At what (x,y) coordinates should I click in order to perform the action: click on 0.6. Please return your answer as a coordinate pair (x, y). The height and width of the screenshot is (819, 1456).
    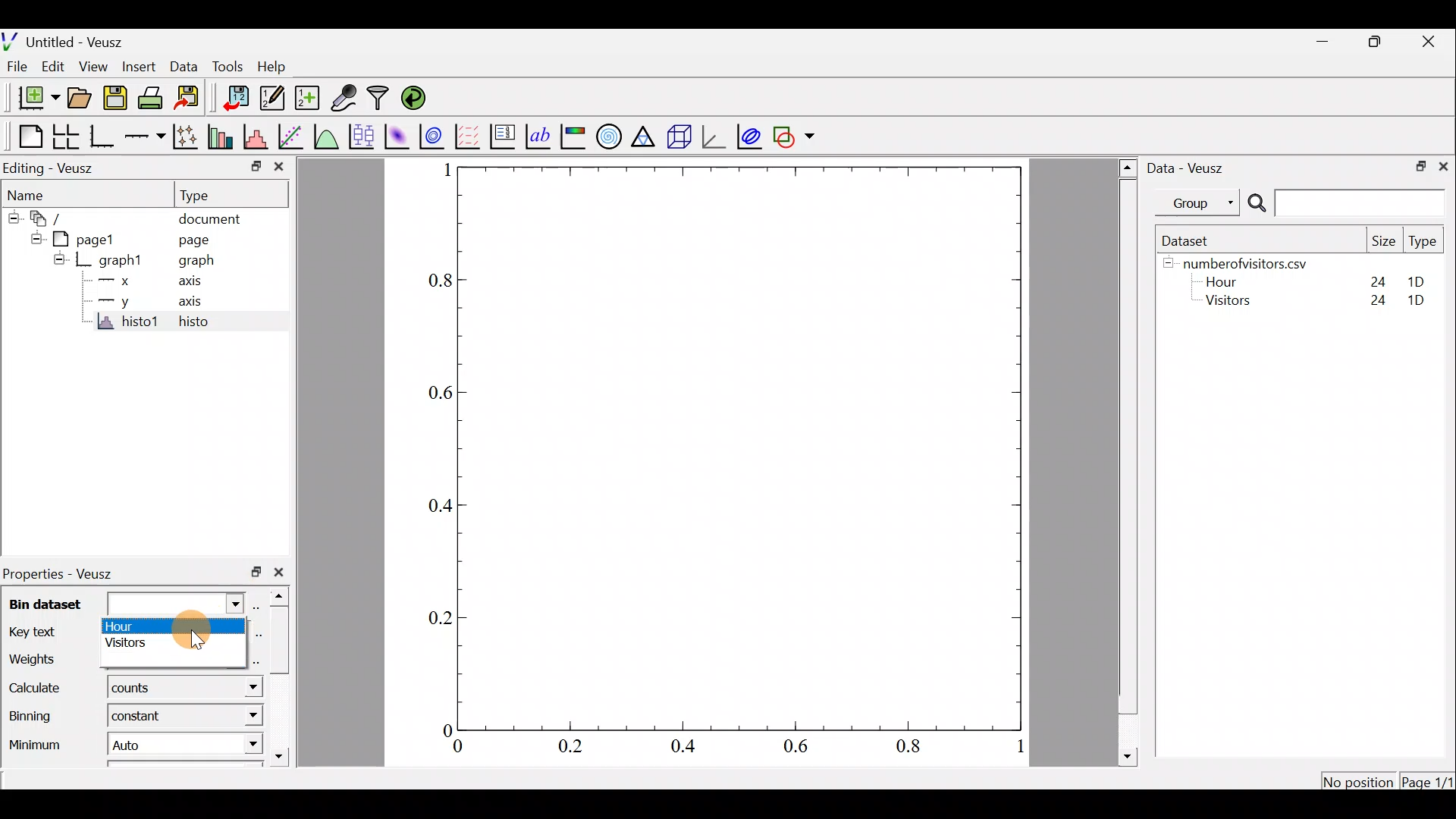
    Looking at the image, I should click on (440, 394).